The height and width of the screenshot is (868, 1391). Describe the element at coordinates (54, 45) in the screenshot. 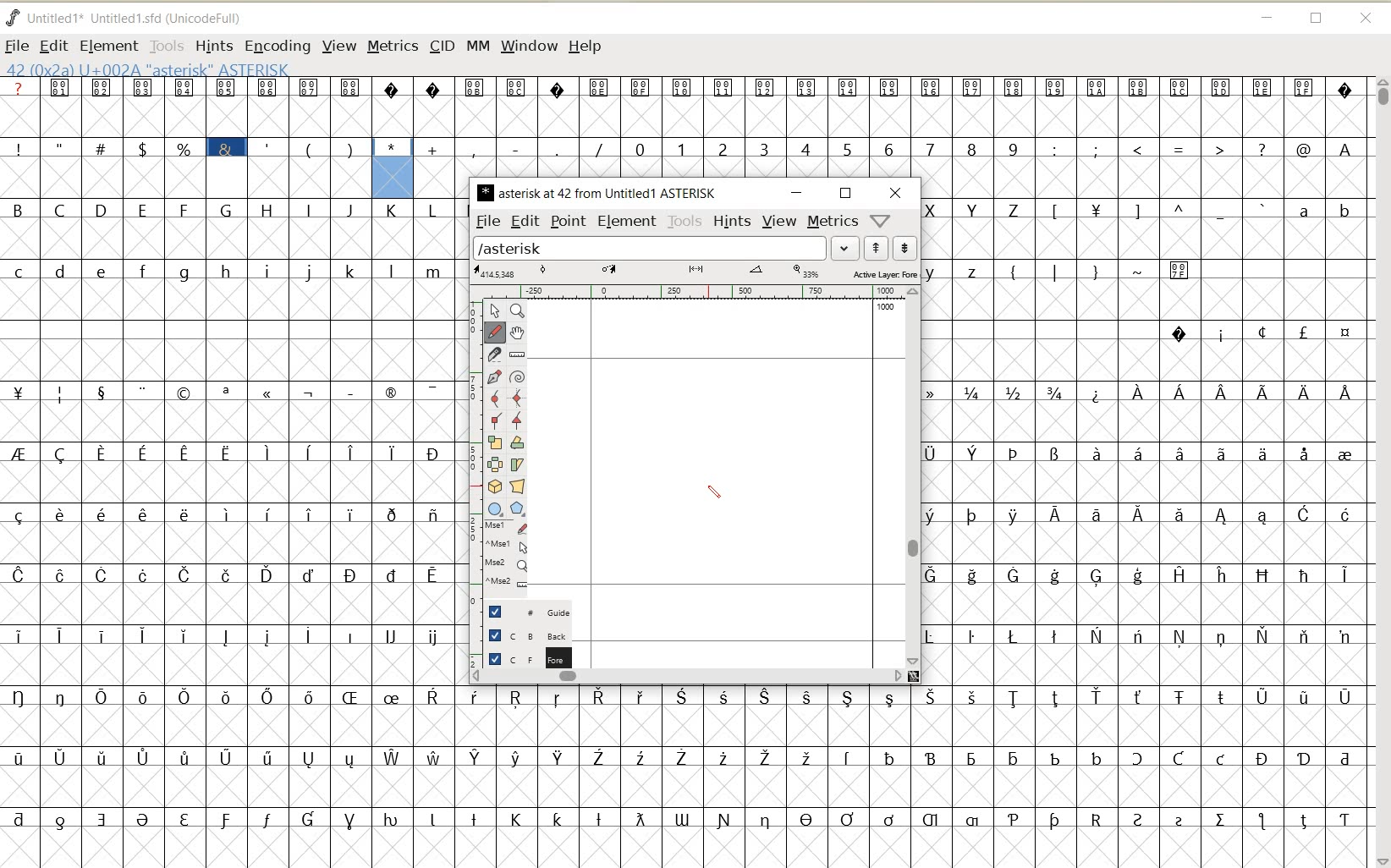

I see `EDIT` at that location.